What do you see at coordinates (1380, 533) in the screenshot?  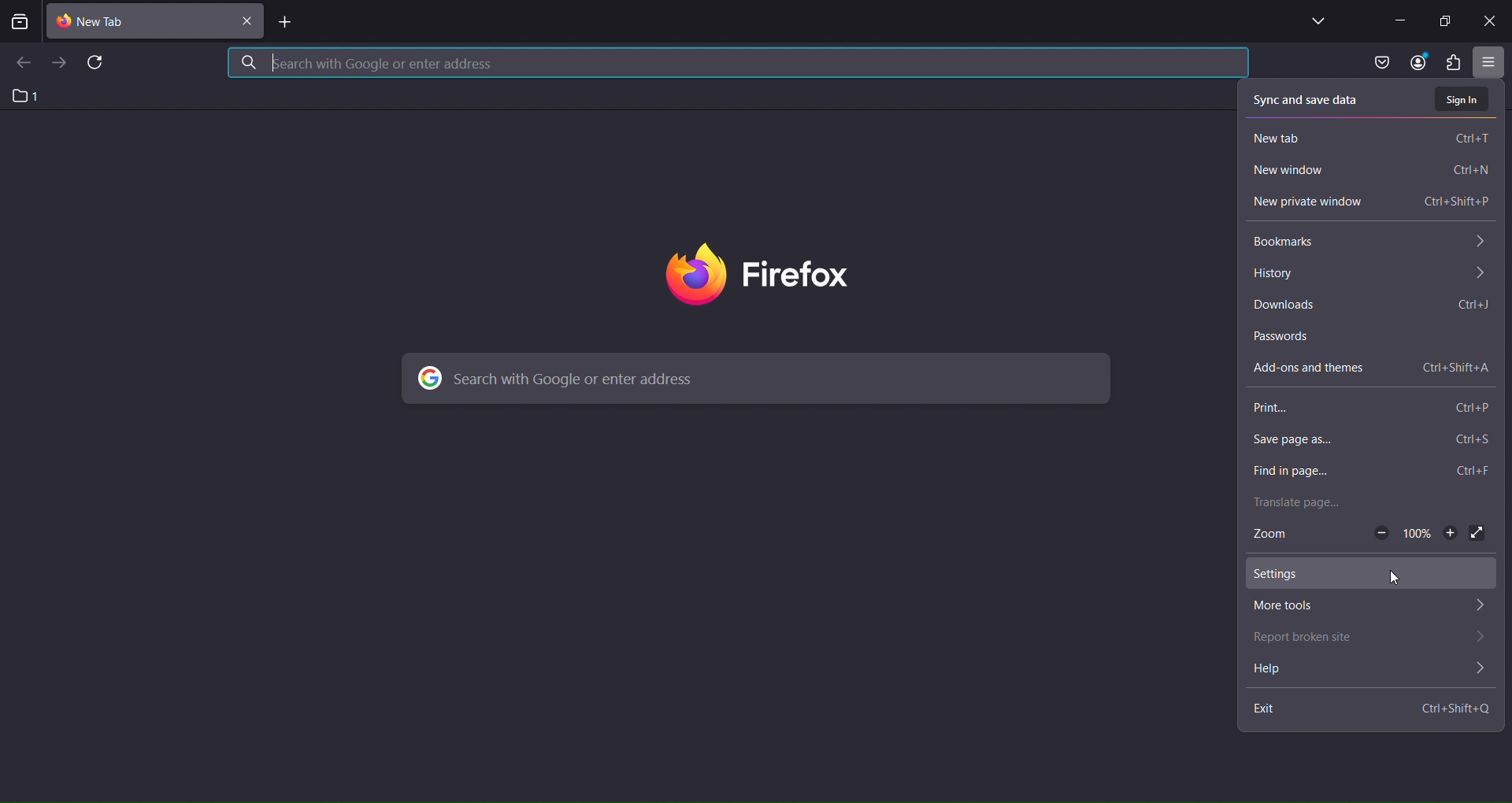 I see `zoom out` at bounding box center [1380, 533].